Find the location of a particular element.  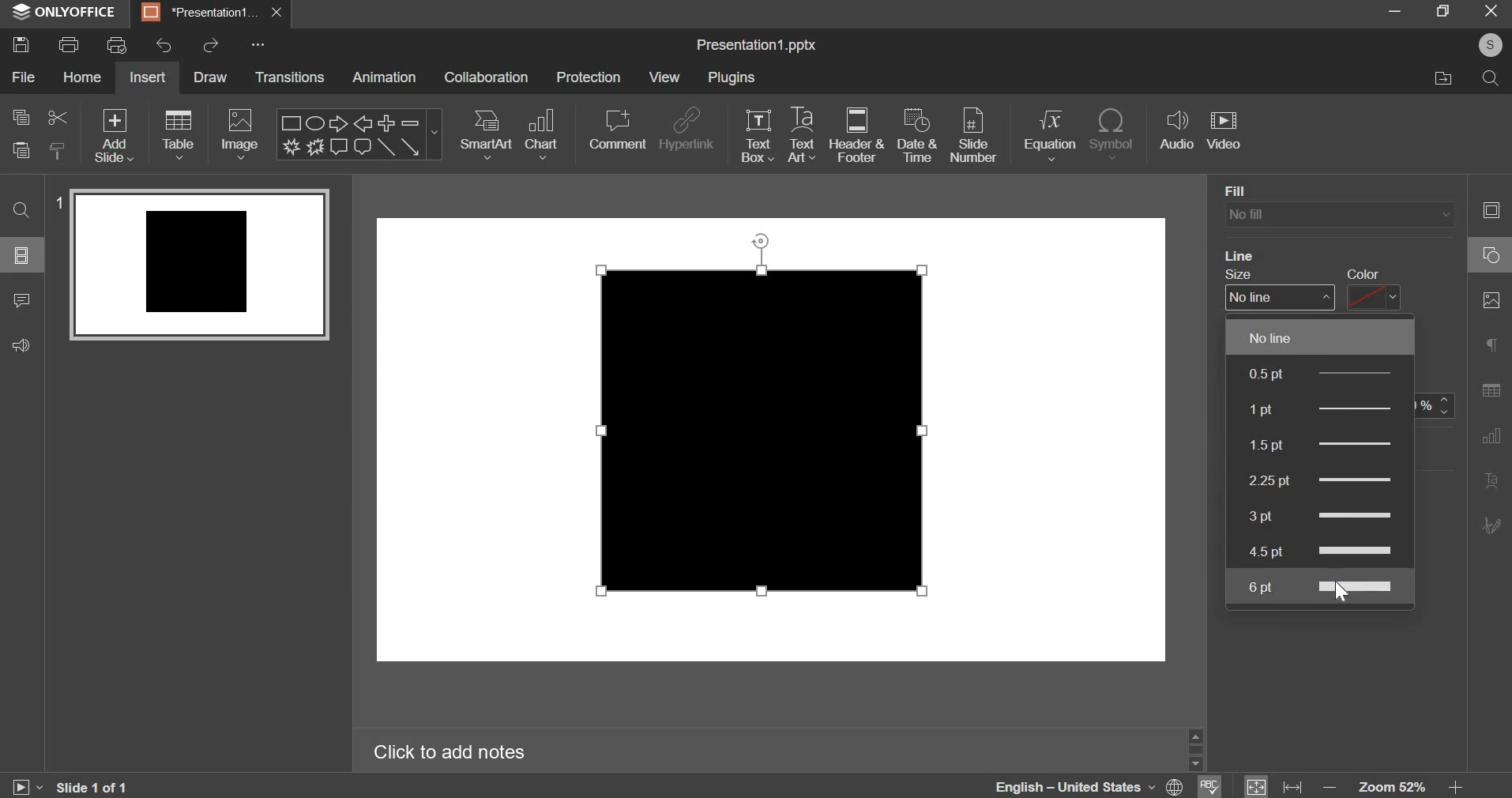

Fill is located at coordinates (1239, 187).